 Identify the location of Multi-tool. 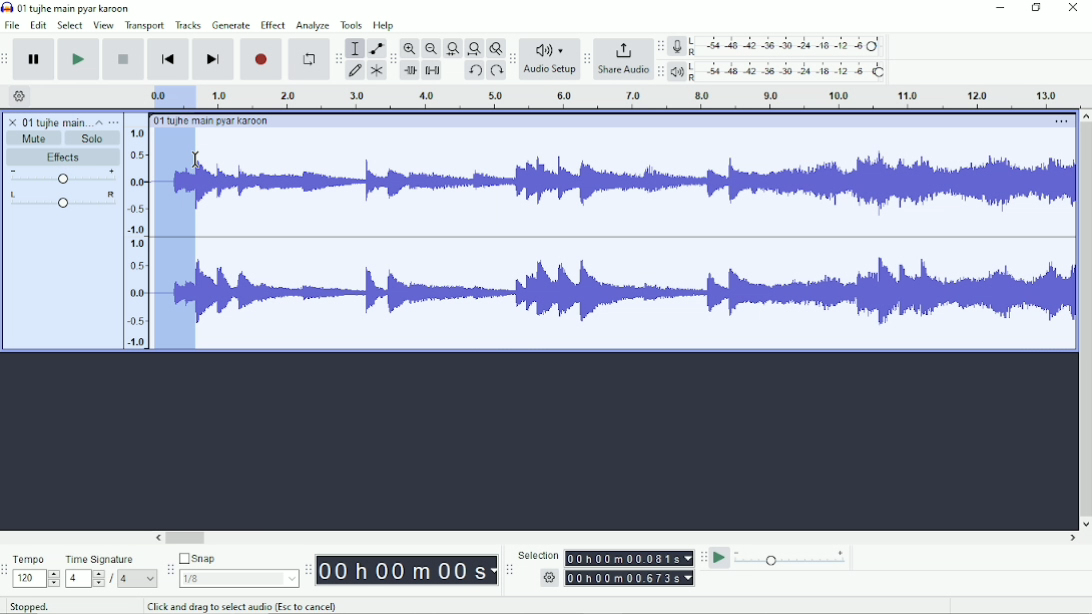
(376, 73).